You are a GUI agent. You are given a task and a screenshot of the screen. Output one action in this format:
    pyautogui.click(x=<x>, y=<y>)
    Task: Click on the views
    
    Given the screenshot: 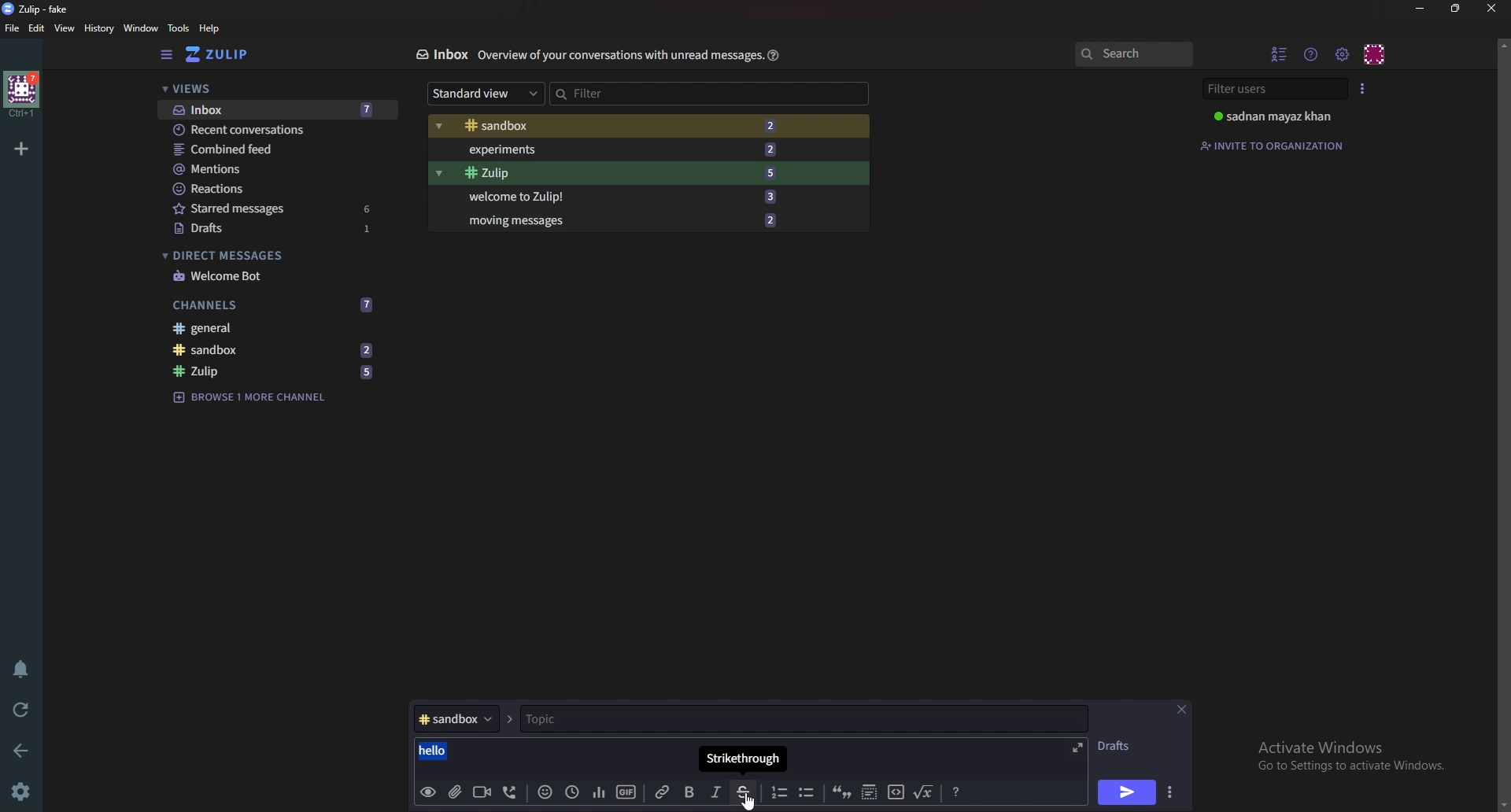 What is the action you would take?
    pyautogui.click(x=275, y=88)
    